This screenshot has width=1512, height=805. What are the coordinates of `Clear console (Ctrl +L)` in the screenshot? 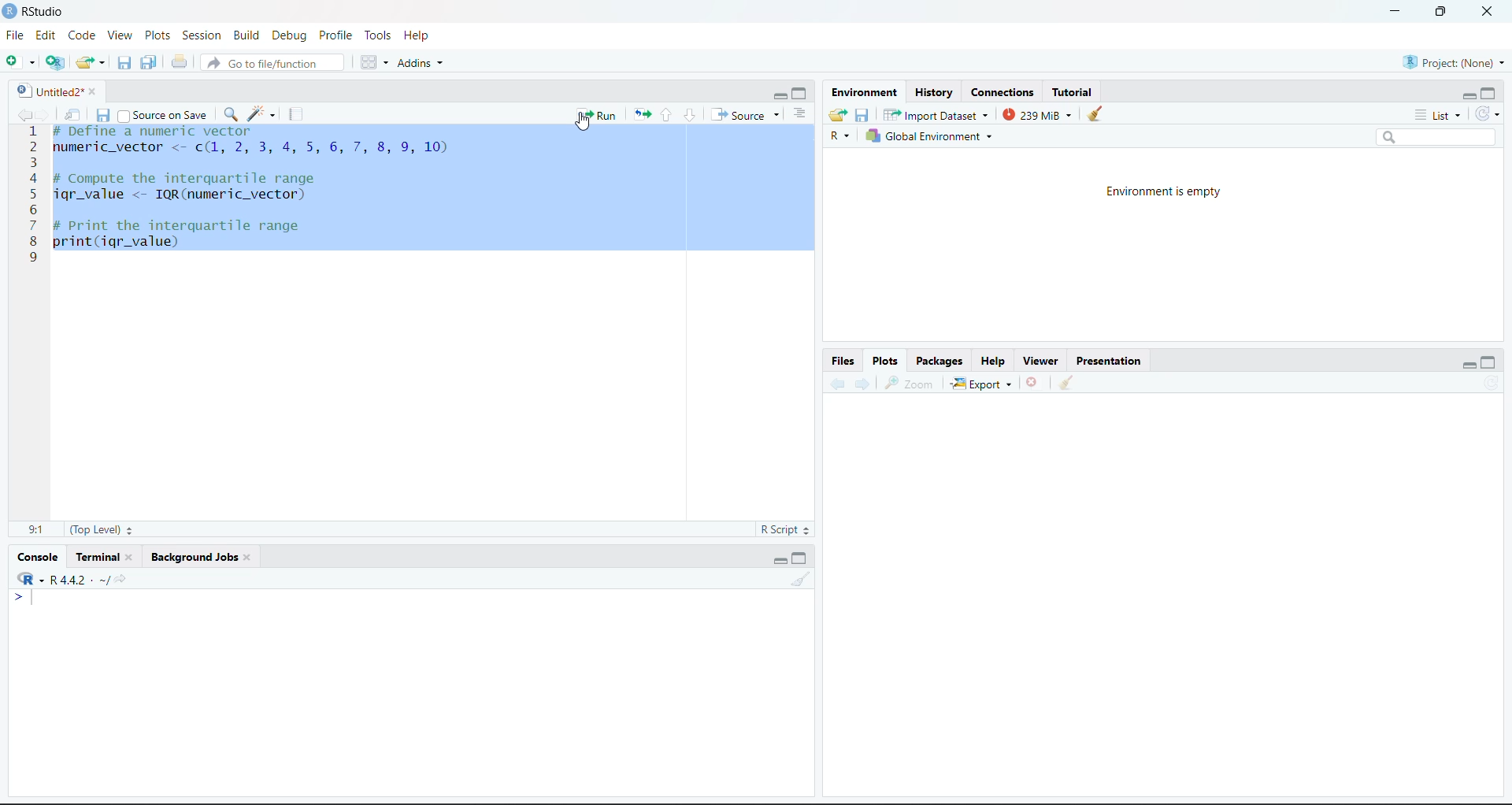 It's located at (1070, 382).